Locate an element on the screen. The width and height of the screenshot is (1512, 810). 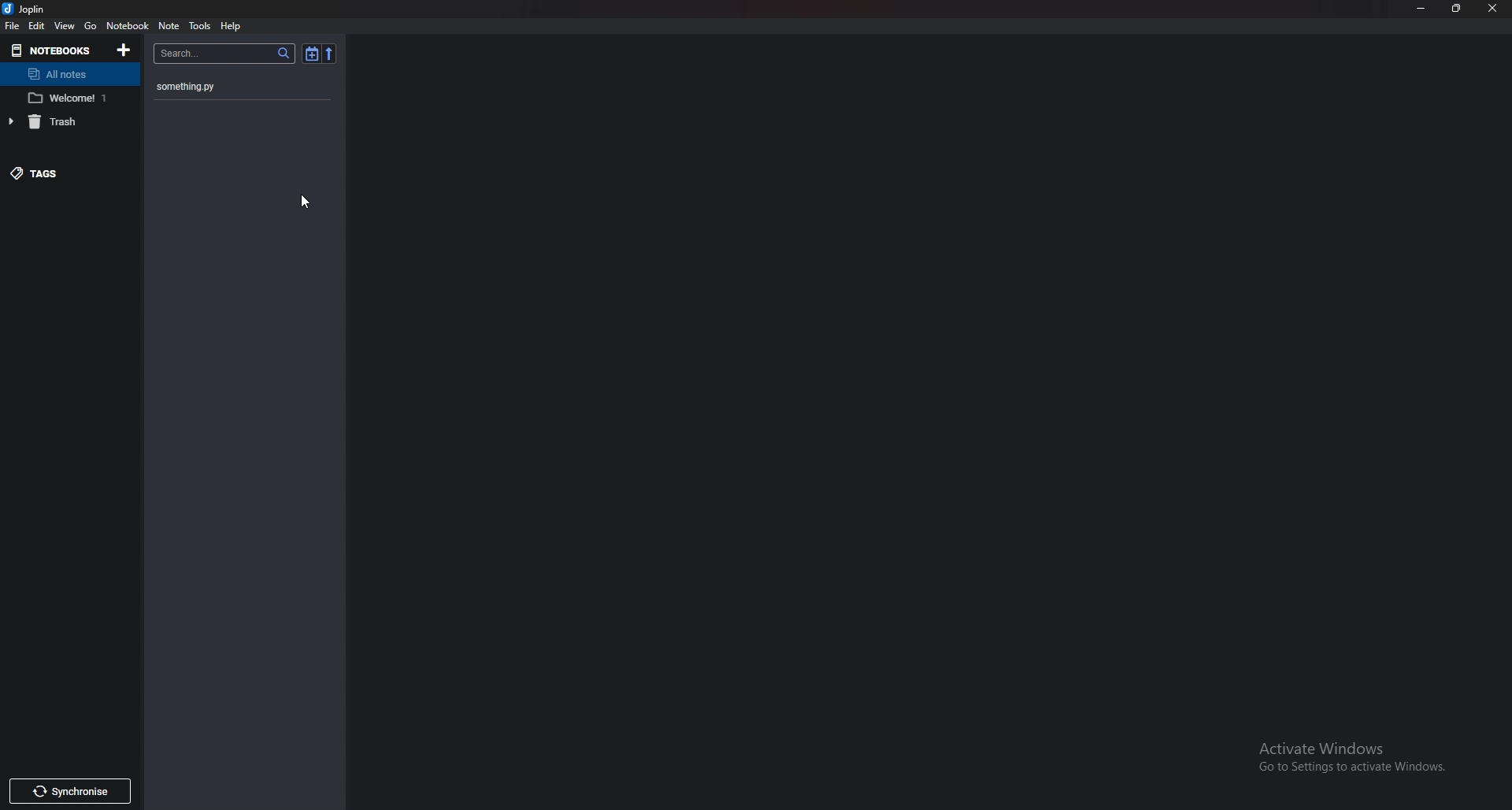
resize is located at coordinates (1458, 9).